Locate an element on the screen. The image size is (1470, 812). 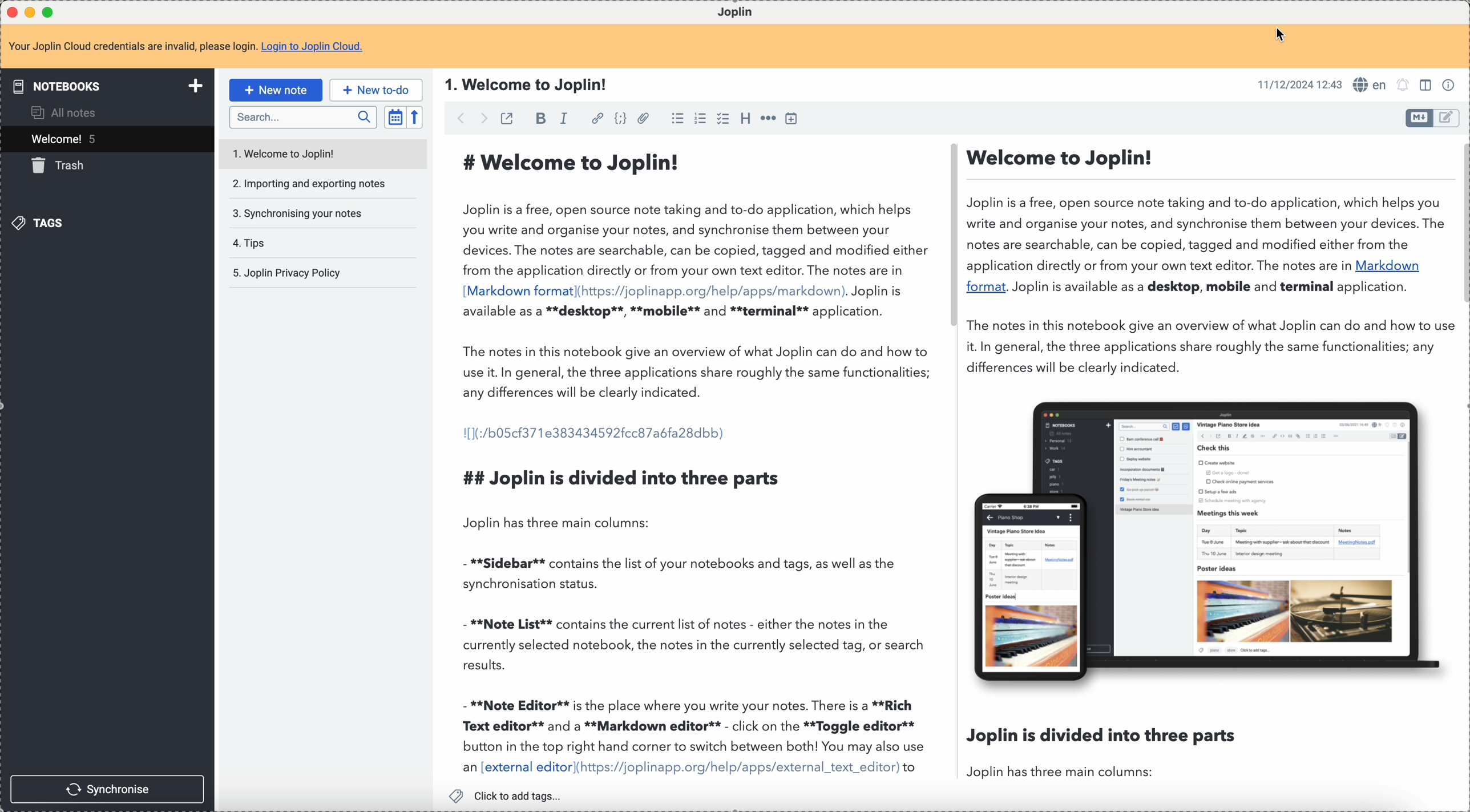
heading is located at coordinates (747, 120).